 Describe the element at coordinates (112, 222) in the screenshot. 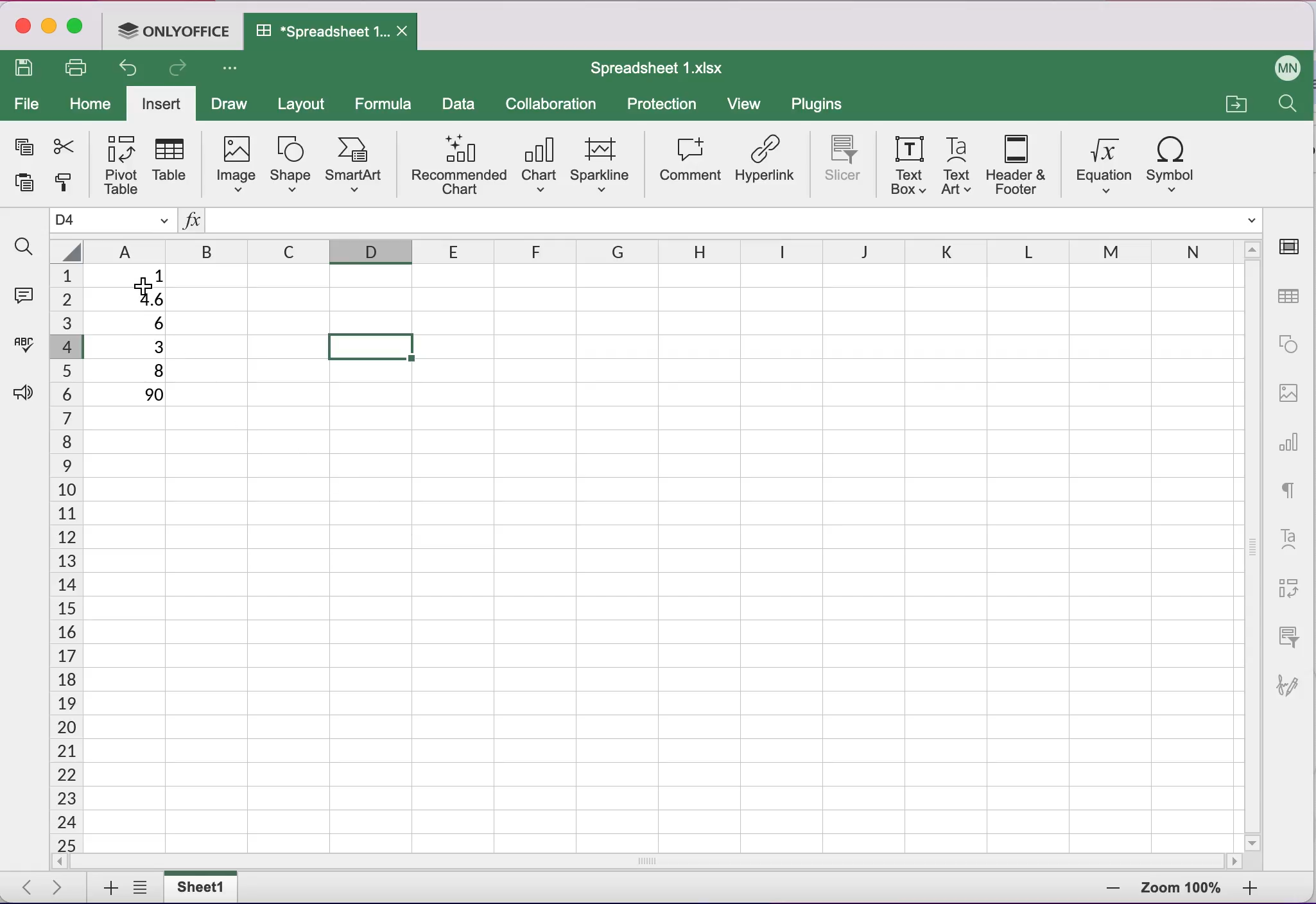

I see `Name manager D4` at that location.